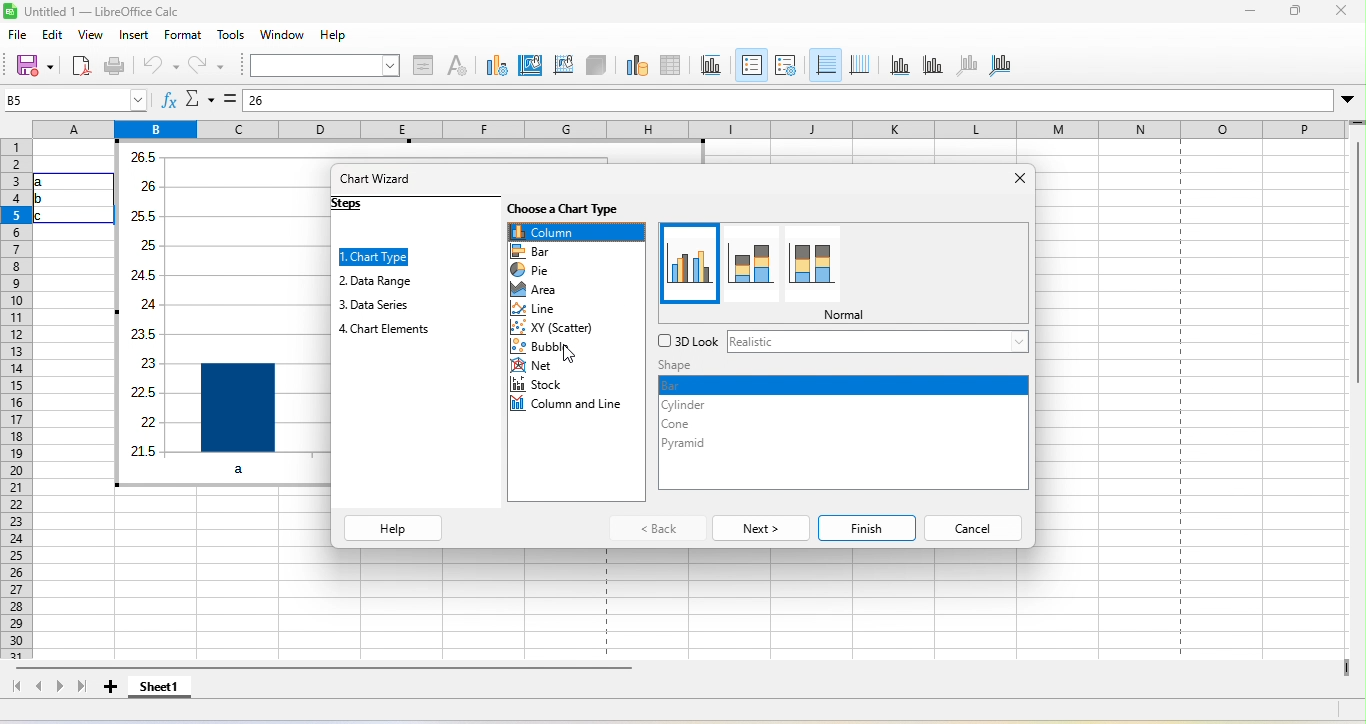  What do you see at coordinates (40, 688) in the screenshot?
I see `previous sheet` at bounding box center [40, 688].